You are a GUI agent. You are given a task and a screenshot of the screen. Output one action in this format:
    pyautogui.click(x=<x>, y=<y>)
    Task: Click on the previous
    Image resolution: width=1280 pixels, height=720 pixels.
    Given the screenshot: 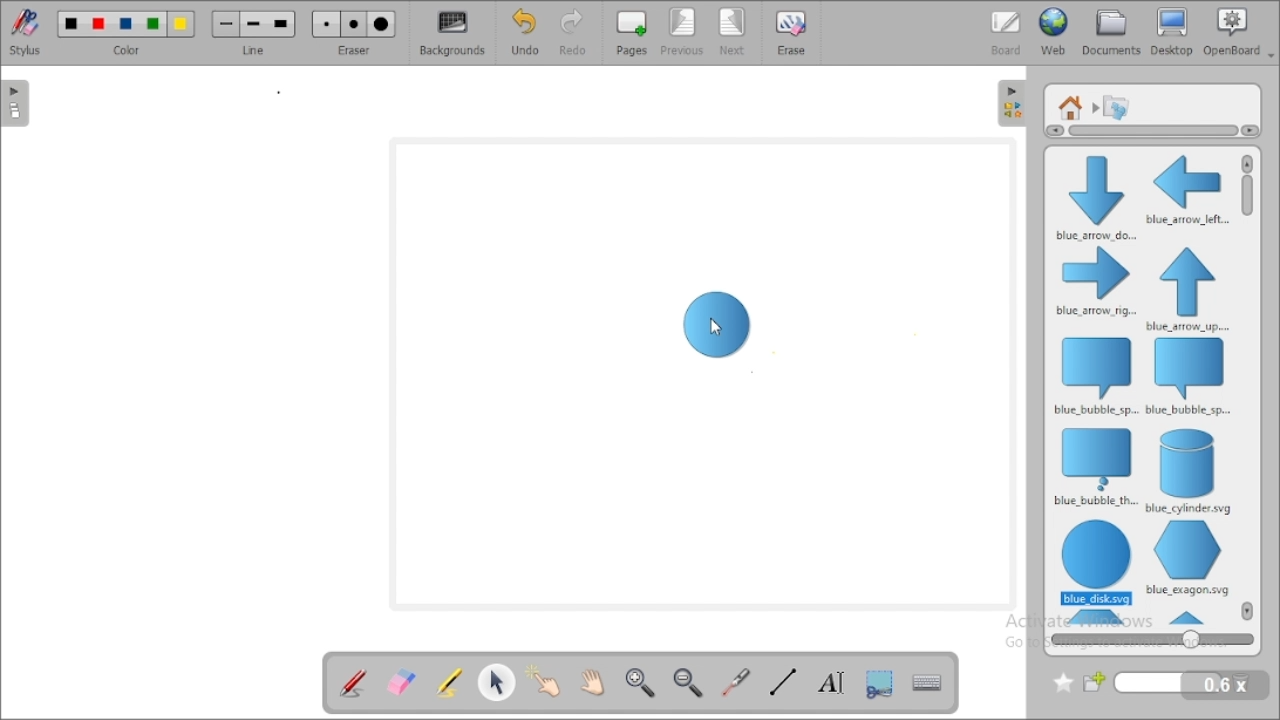 What is the action you would take?
    pyautogui.click(x=683, y=33)
    